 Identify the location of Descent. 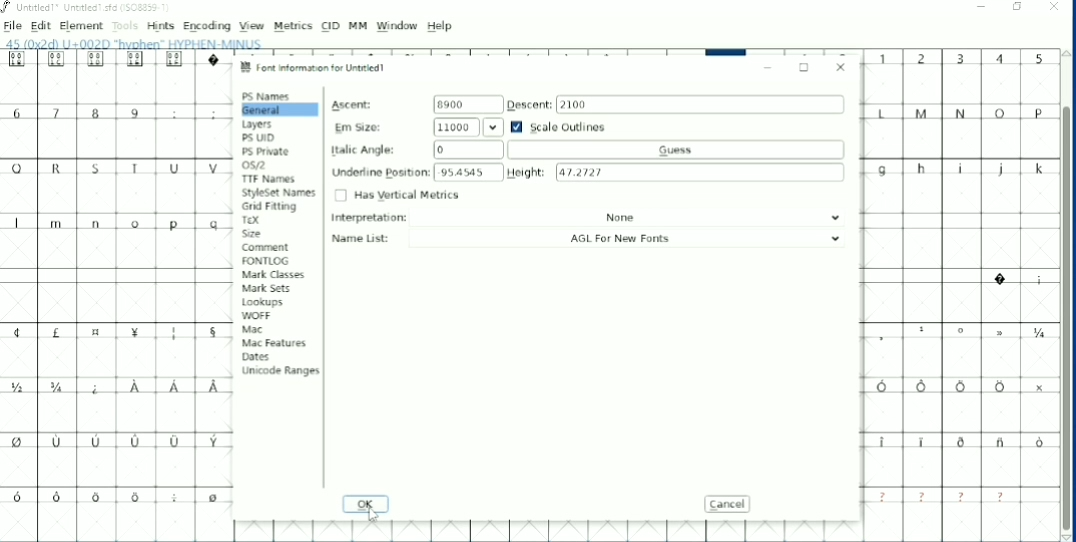
(675, 104).